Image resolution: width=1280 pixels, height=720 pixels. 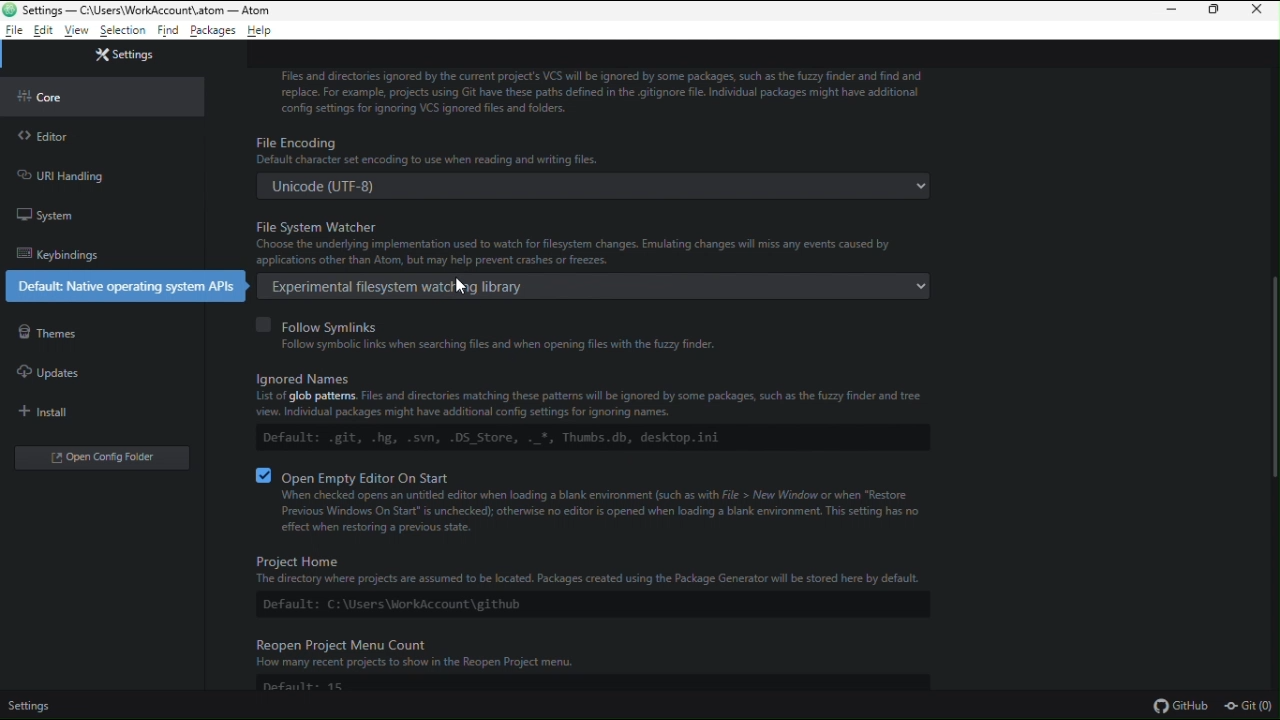 I want to click on Text, so click(x=600, y=89).